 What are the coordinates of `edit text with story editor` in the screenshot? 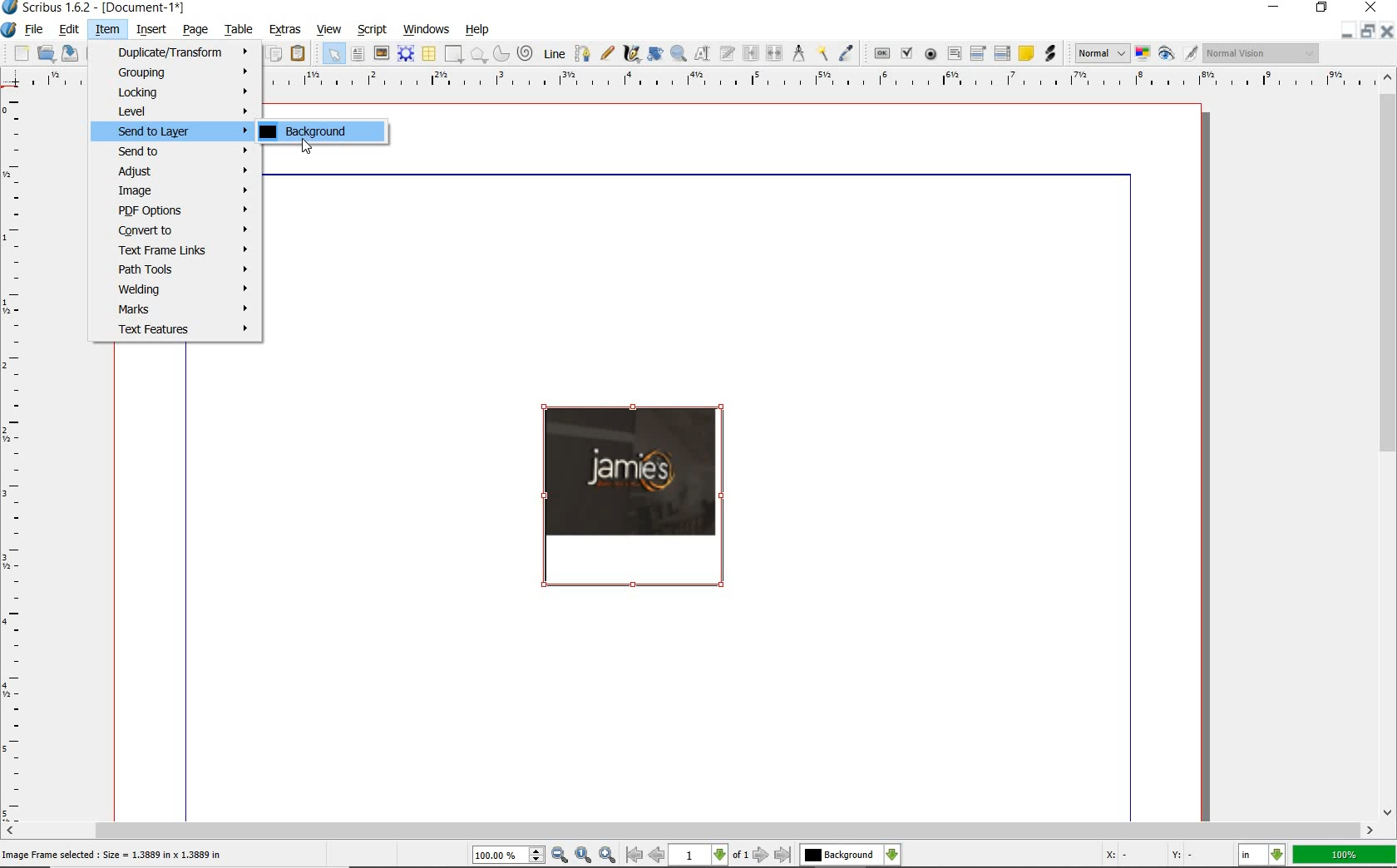 It's located at (728, 53).